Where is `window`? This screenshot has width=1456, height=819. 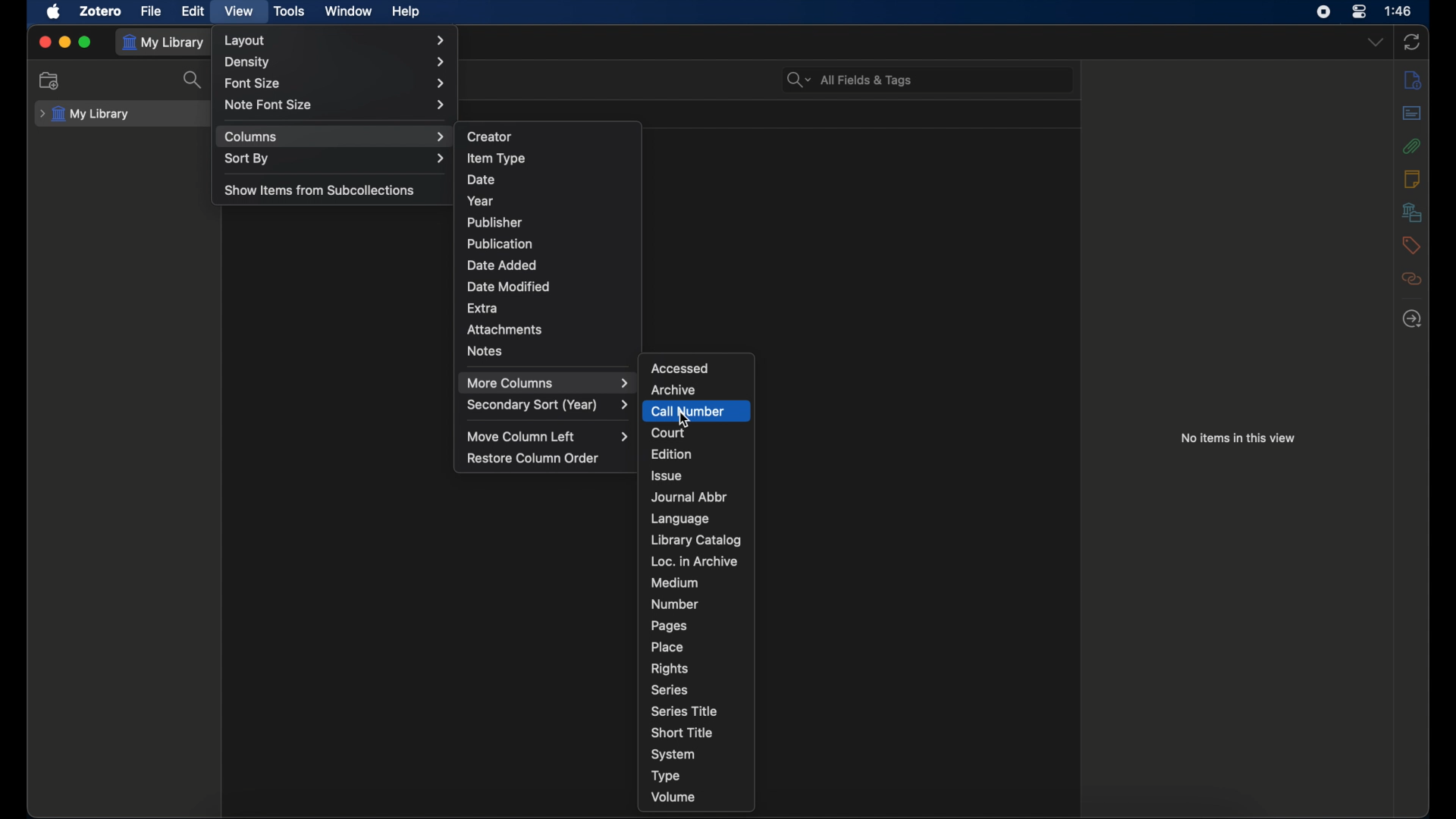
window is located at coordinates (349, 11).